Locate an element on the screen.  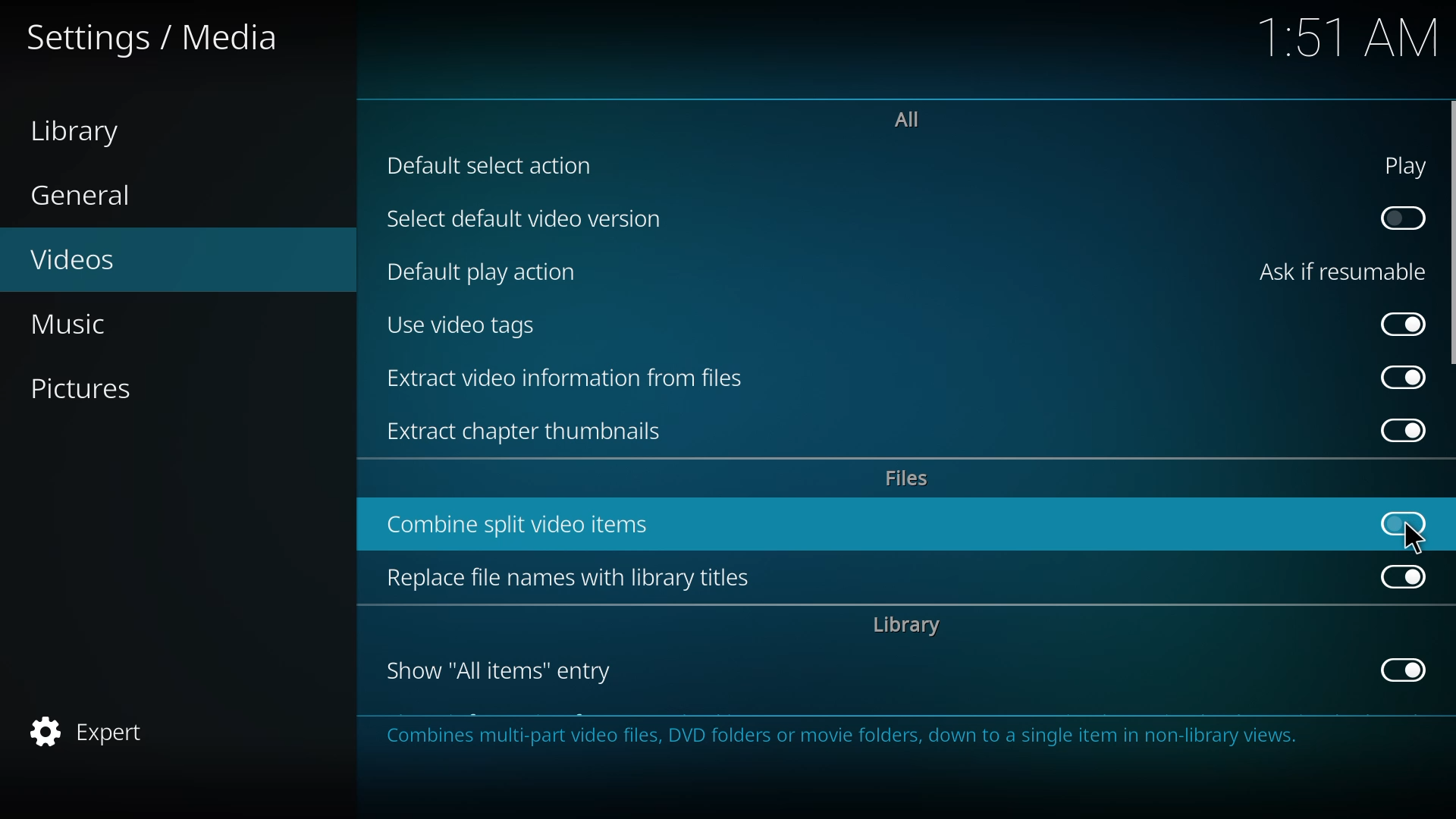
replace file names with library titles is located at coordinates (570, 577).